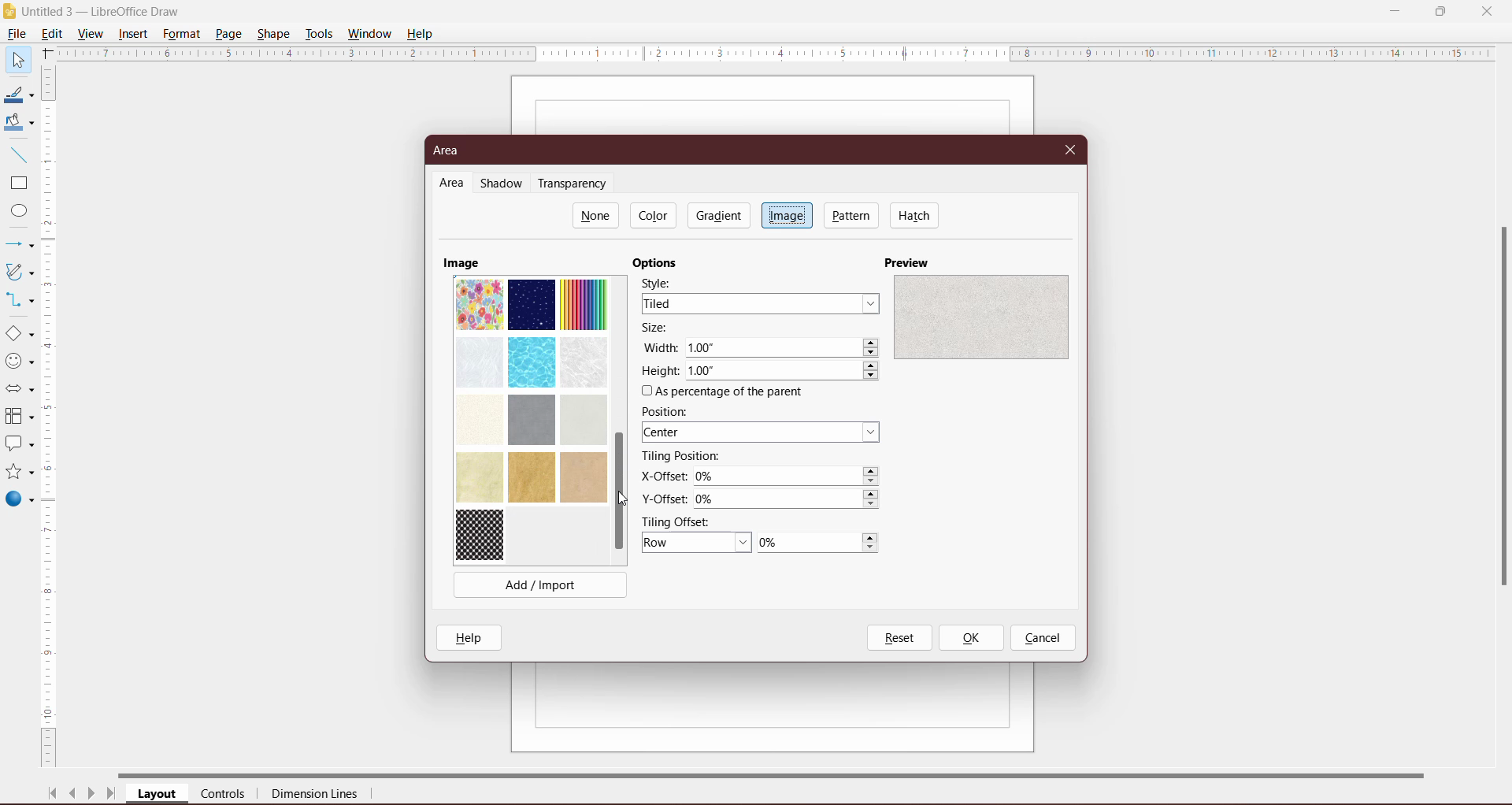 This screenshot has width=1512, height=805. I want to click on Symbol Shapes, so click(19, 362).